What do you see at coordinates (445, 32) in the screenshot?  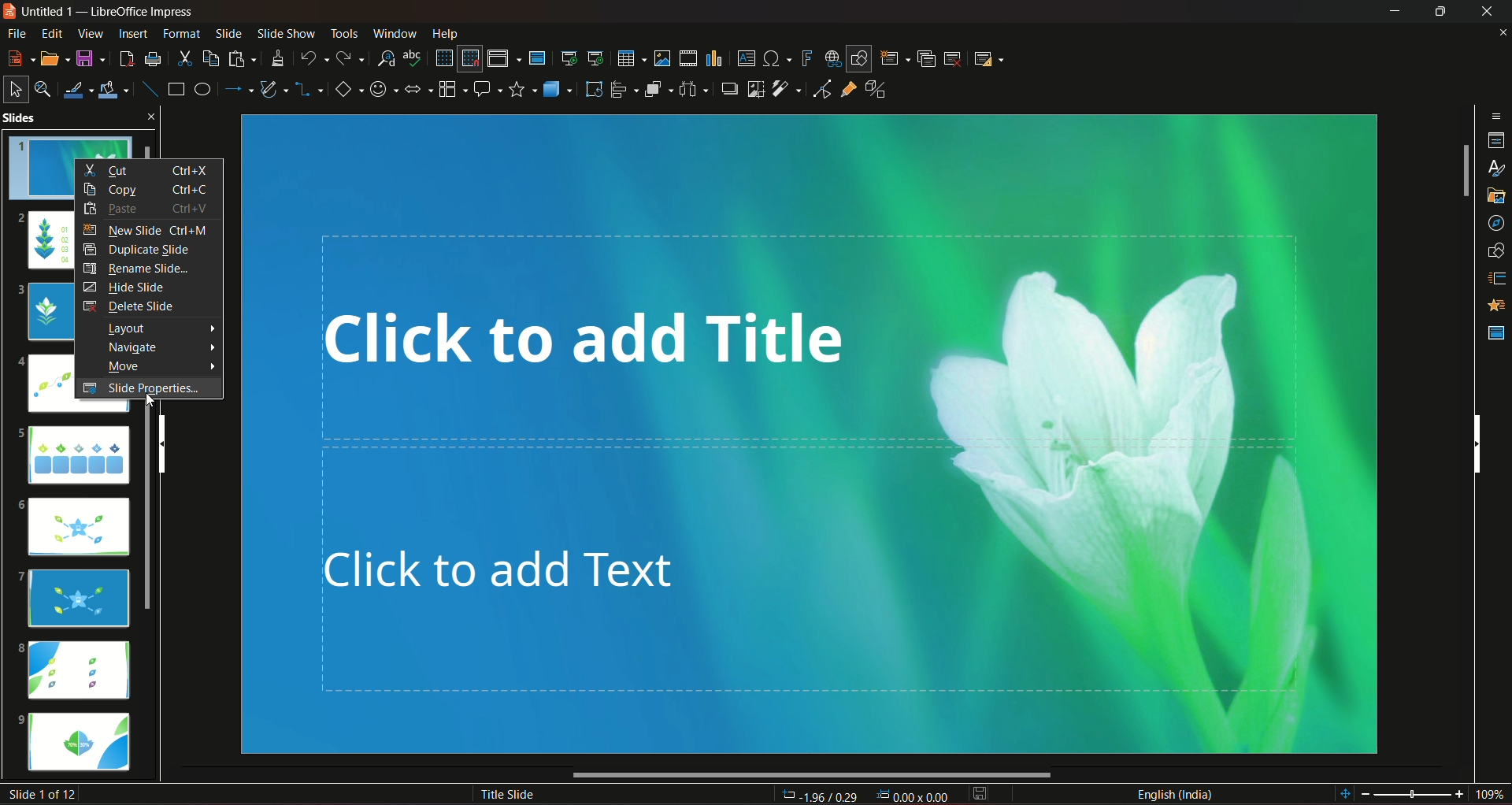 I see `help` at bounding box center [445, 32].